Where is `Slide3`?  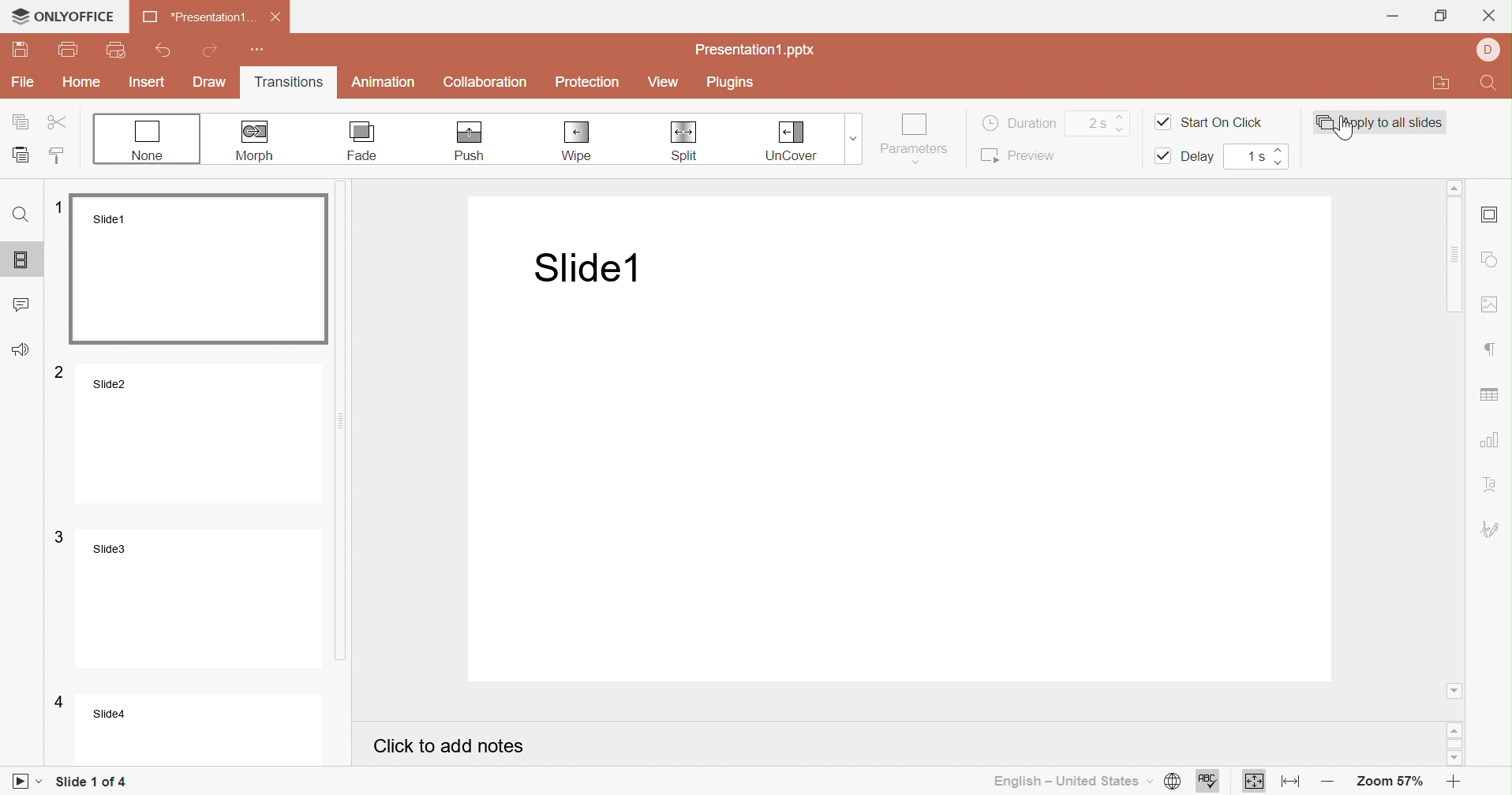 Slide3 is located at coordinates (204, 597).